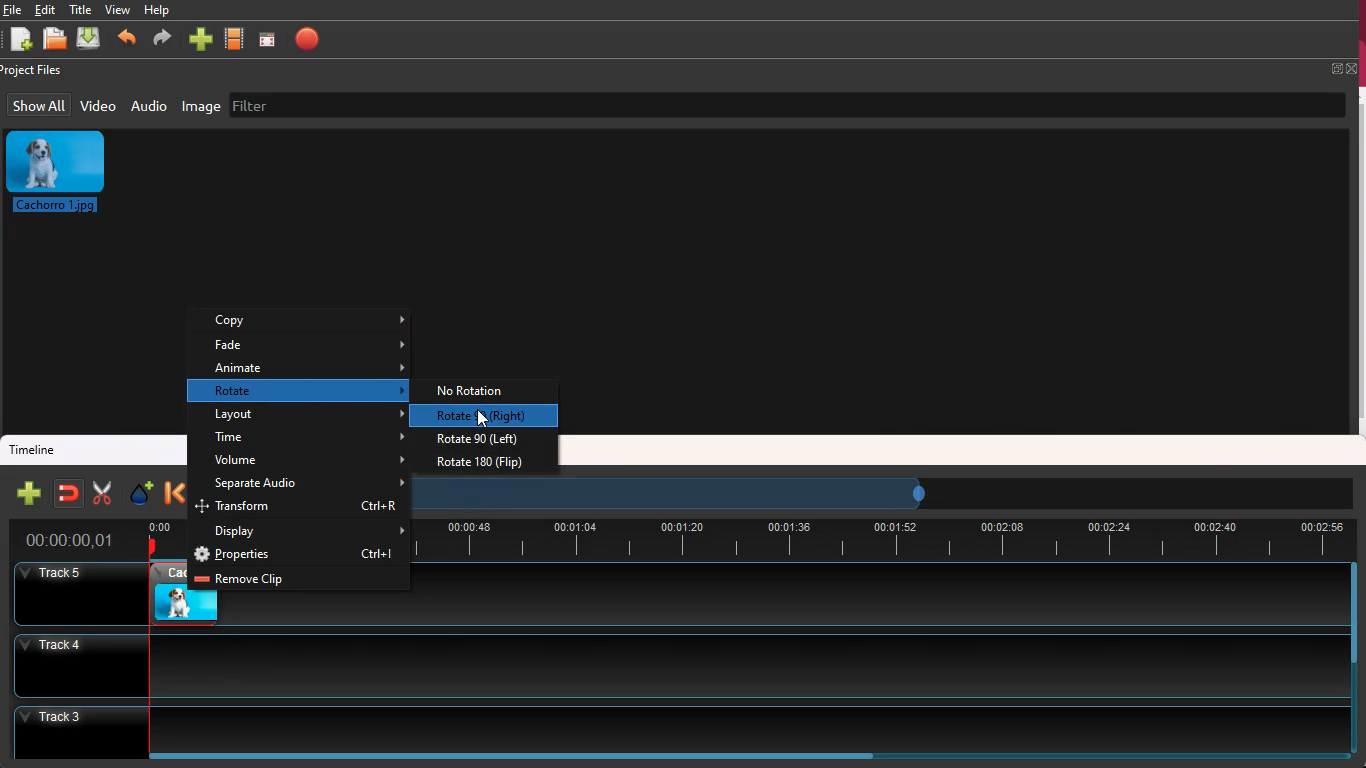 This screenshot has width=1366, height=768. What do you see at coordinates (200, 39) in the screenshot?
I see `more` at bounding box center [200, 39].